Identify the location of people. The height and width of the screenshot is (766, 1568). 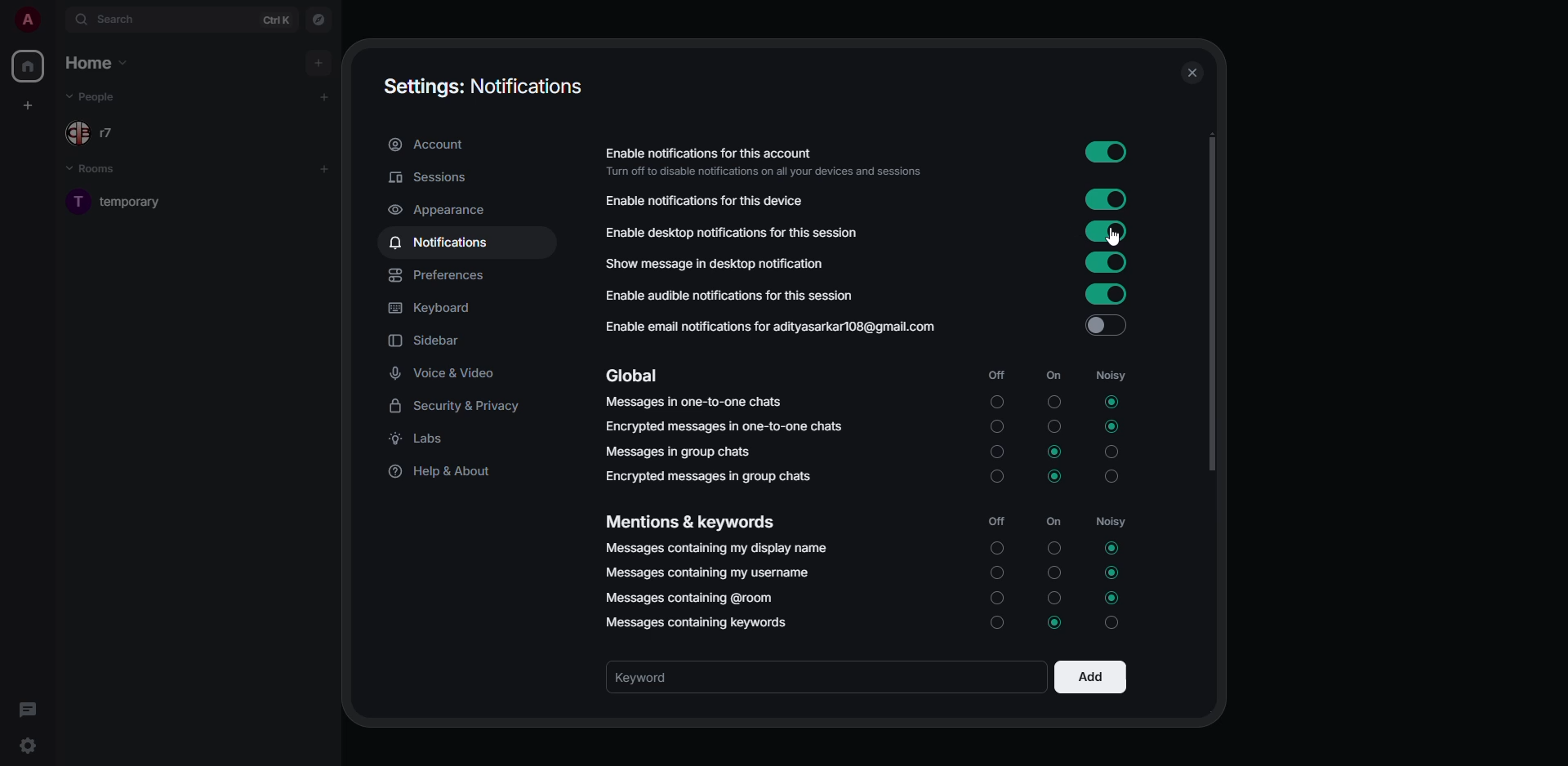
(96, 132).